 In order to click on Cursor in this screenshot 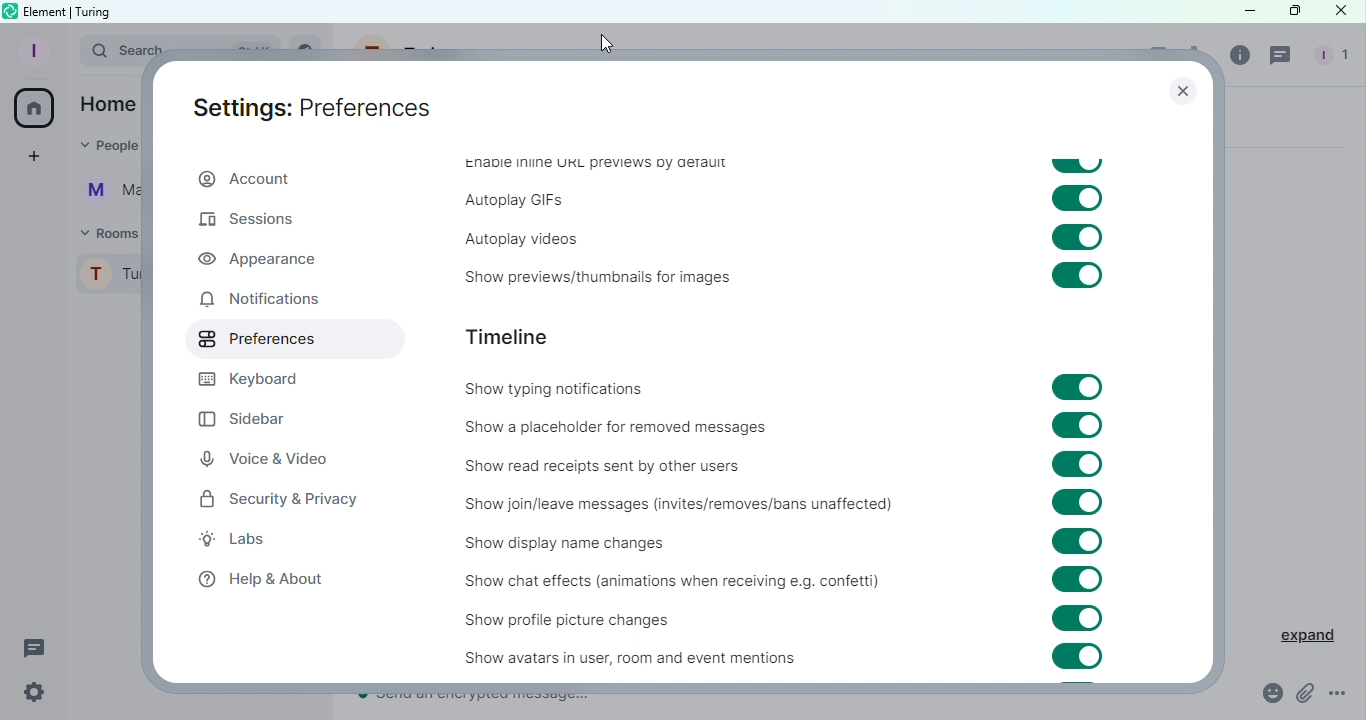, I will do `click(608, 43)`.